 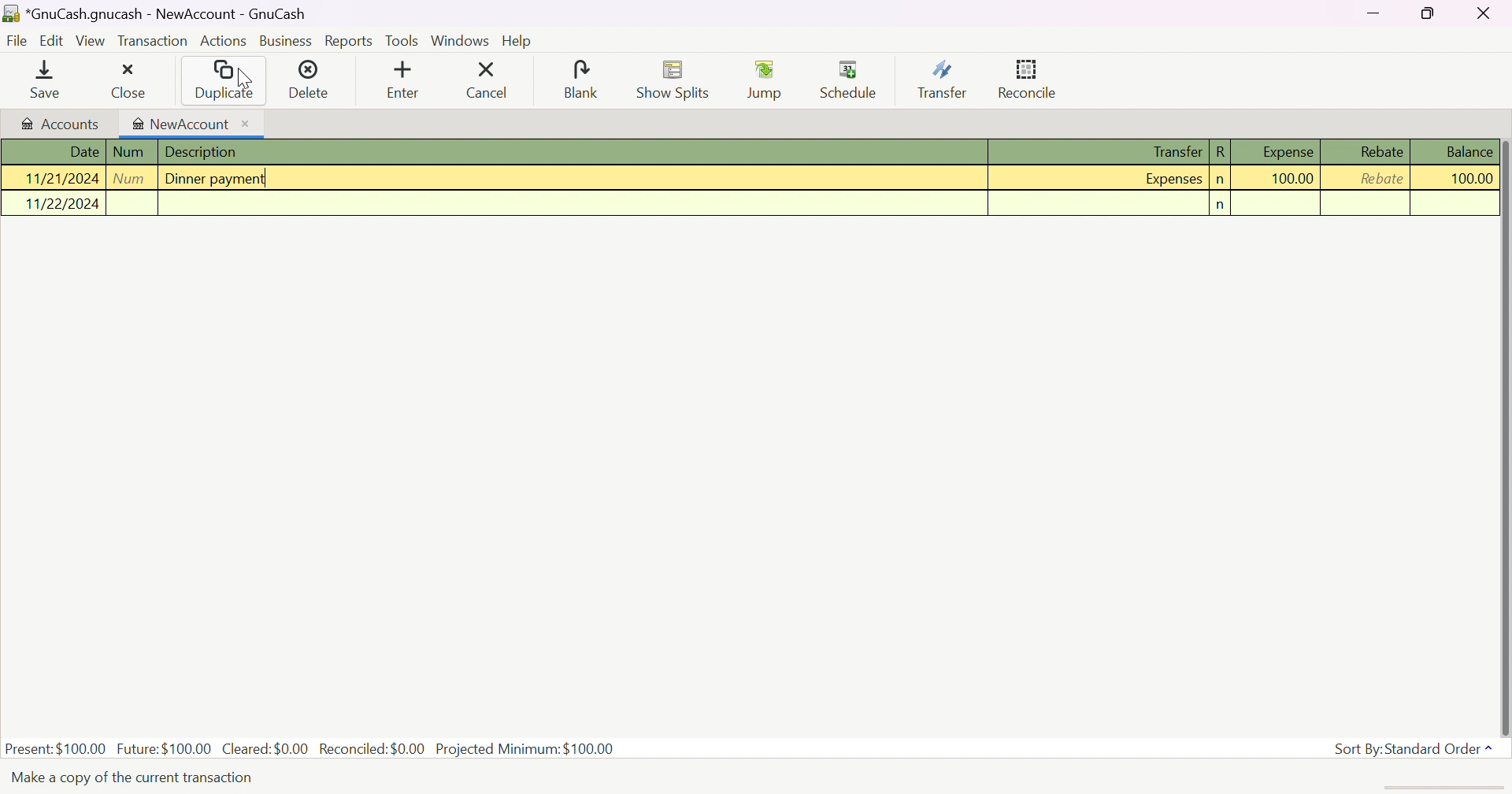 I want to click on Dinner payment, so click(x=216, y=177).